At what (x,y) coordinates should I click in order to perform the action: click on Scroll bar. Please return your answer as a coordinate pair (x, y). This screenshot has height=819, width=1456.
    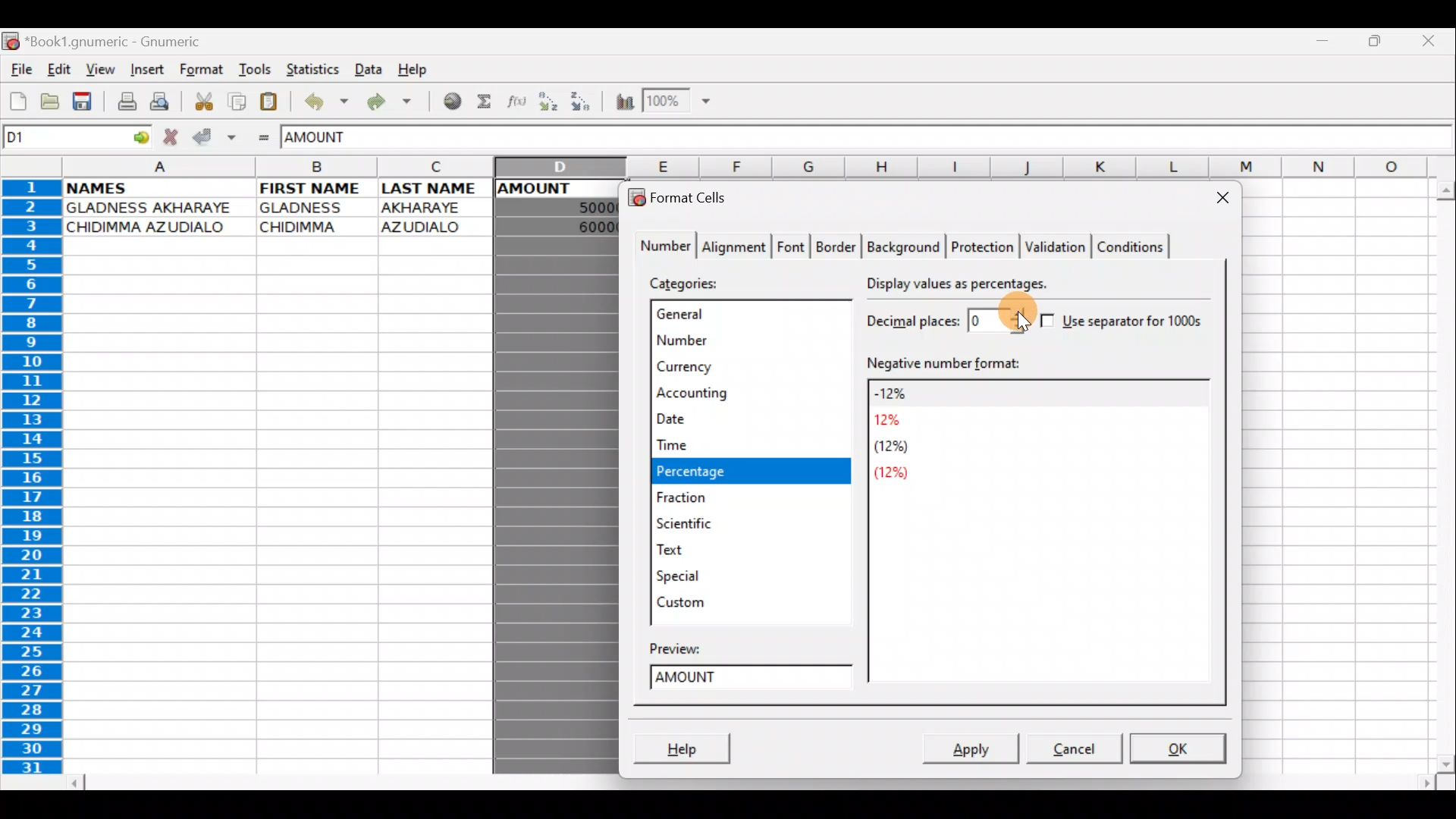
    Looking at the image, I should click on (745, 780).